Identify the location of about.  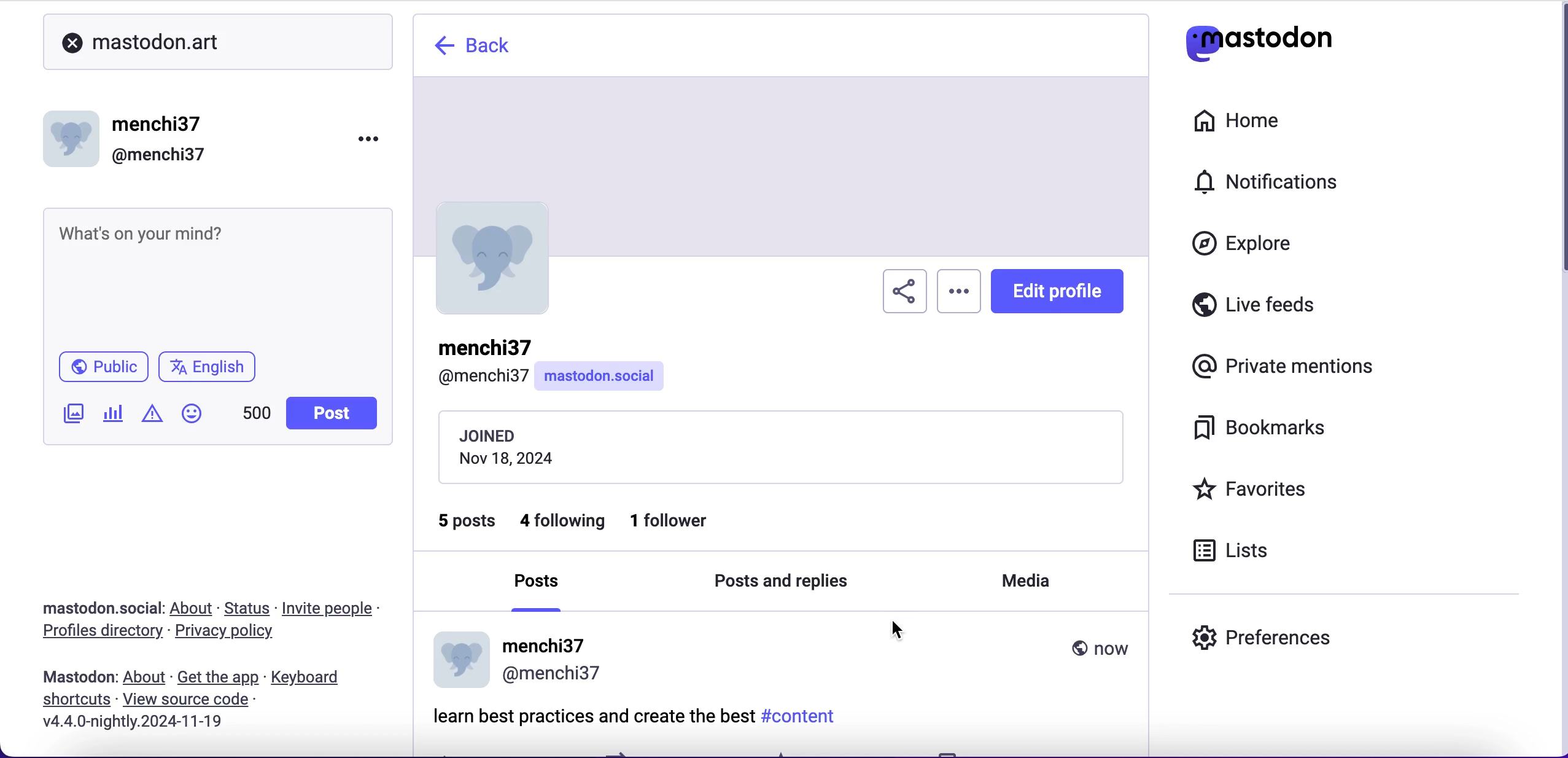
(194, 609).